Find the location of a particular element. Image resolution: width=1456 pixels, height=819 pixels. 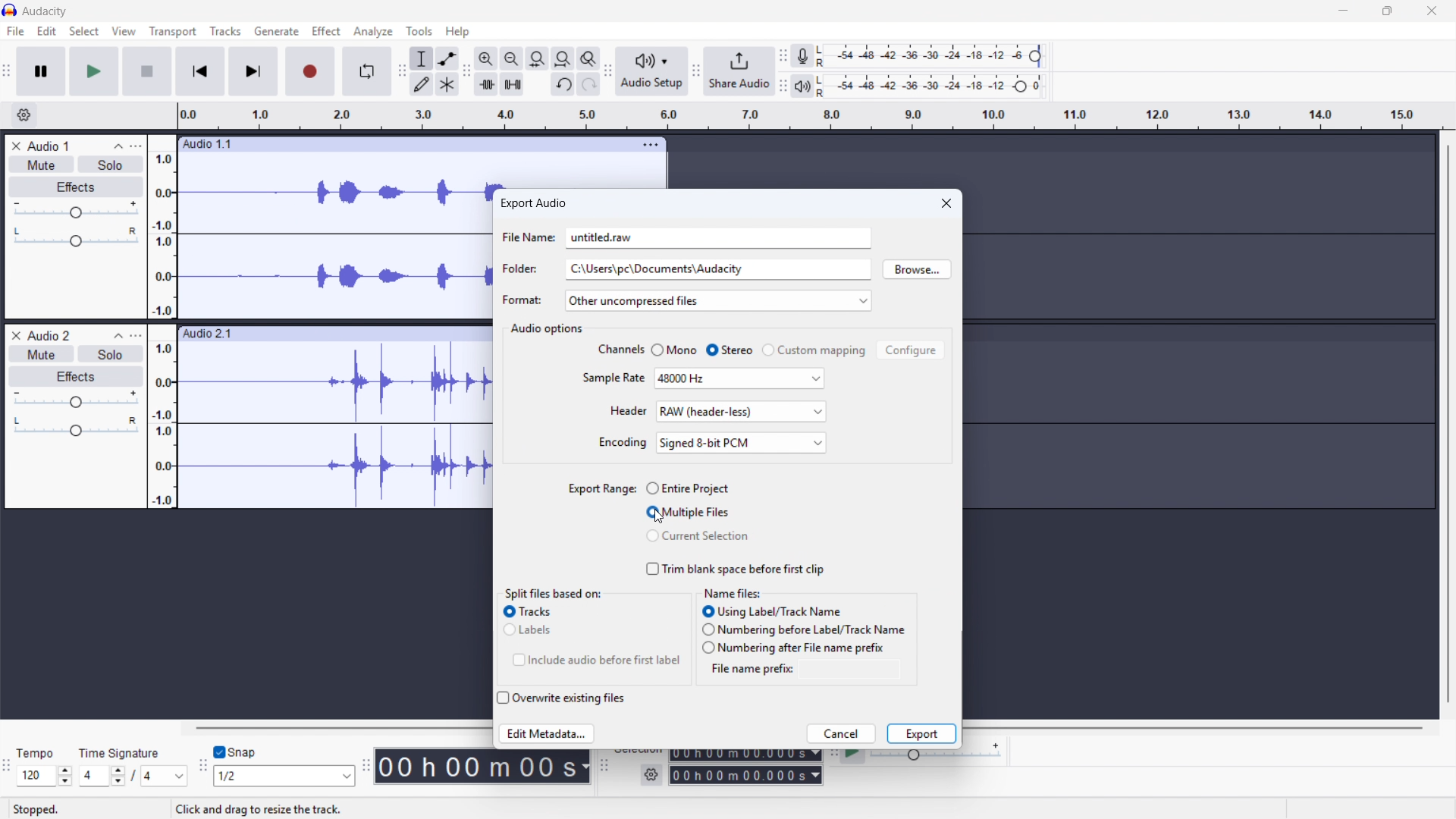

Set sample rate  is located at coordinates (740, 378).